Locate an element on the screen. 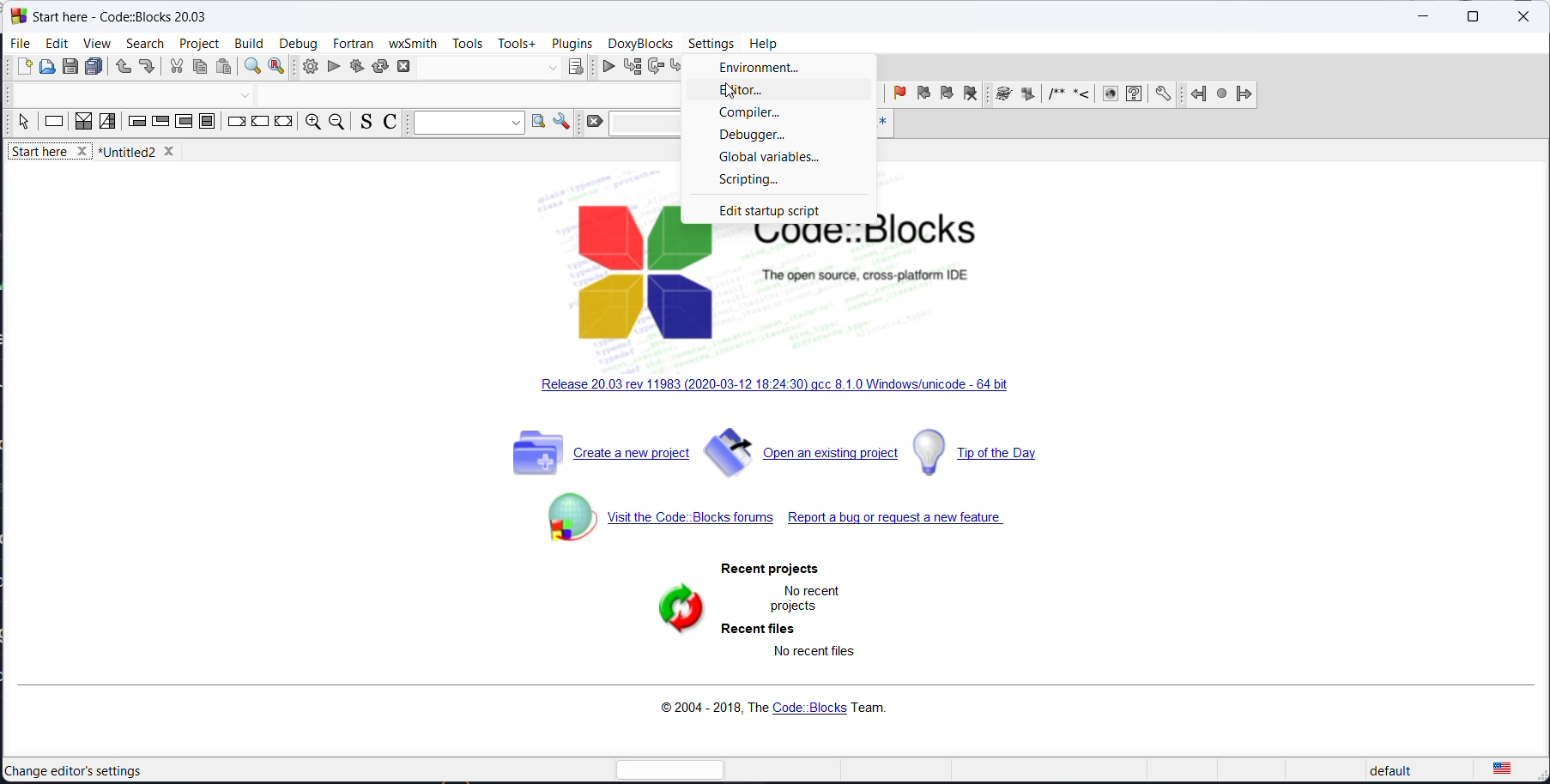 This screenshot has width=1550, height=784. build and run is located at coordinates (356, 65).